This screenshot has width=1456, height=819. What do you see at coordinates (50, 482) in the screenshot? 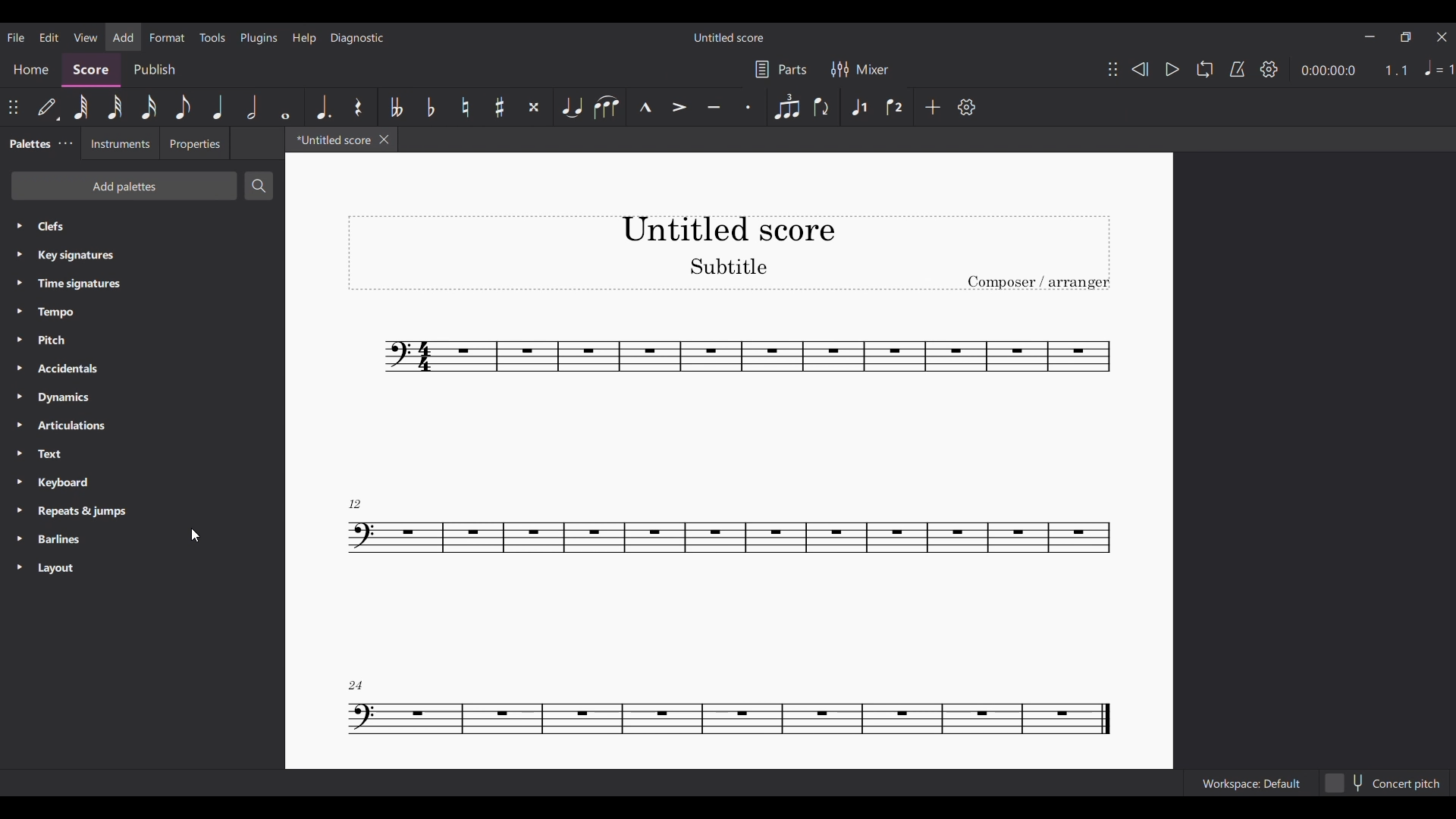
I see `Keyboard` at bounding box center [50, 482].